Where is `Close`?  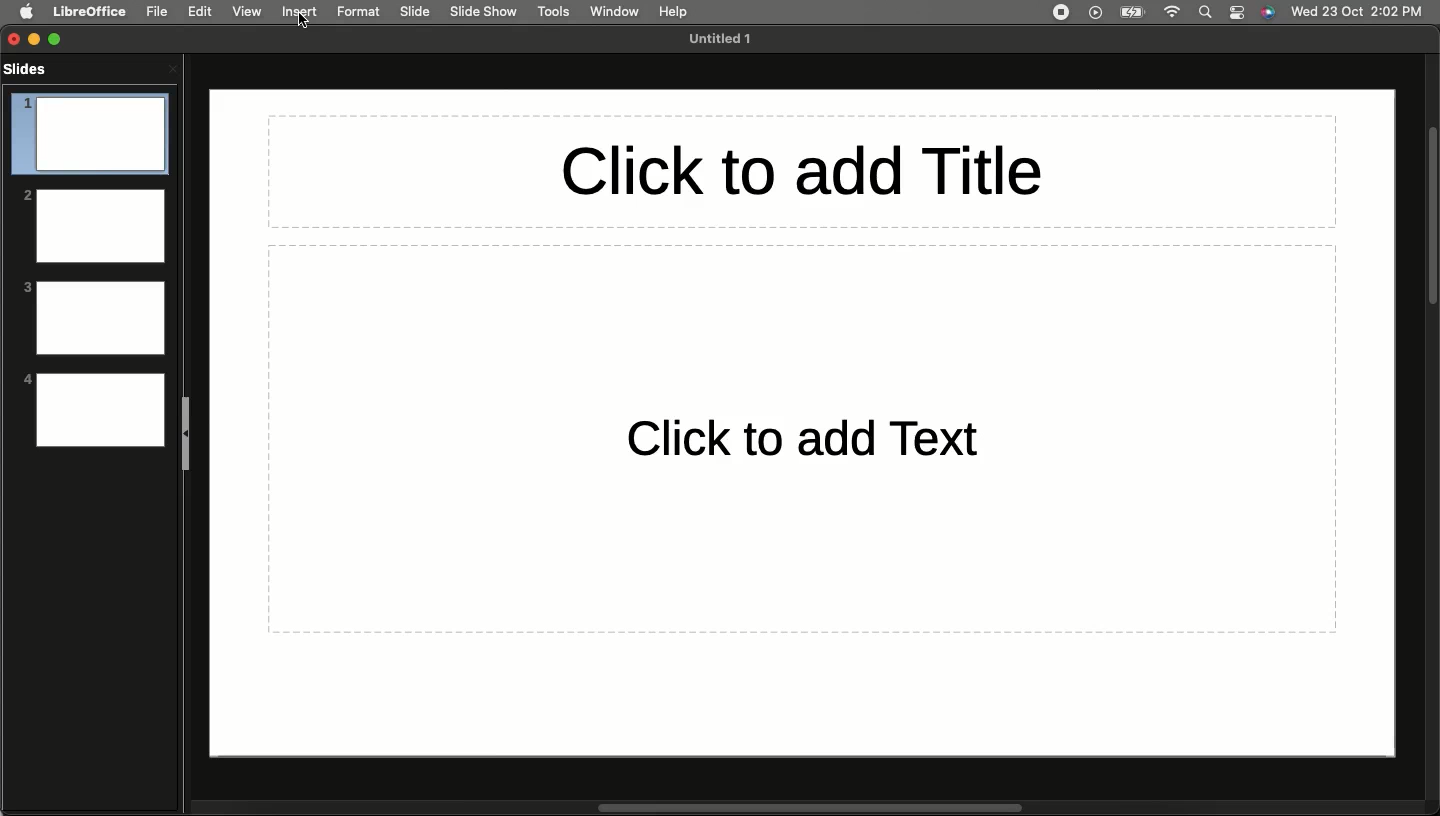
Close is located at coordinates (14, 39).